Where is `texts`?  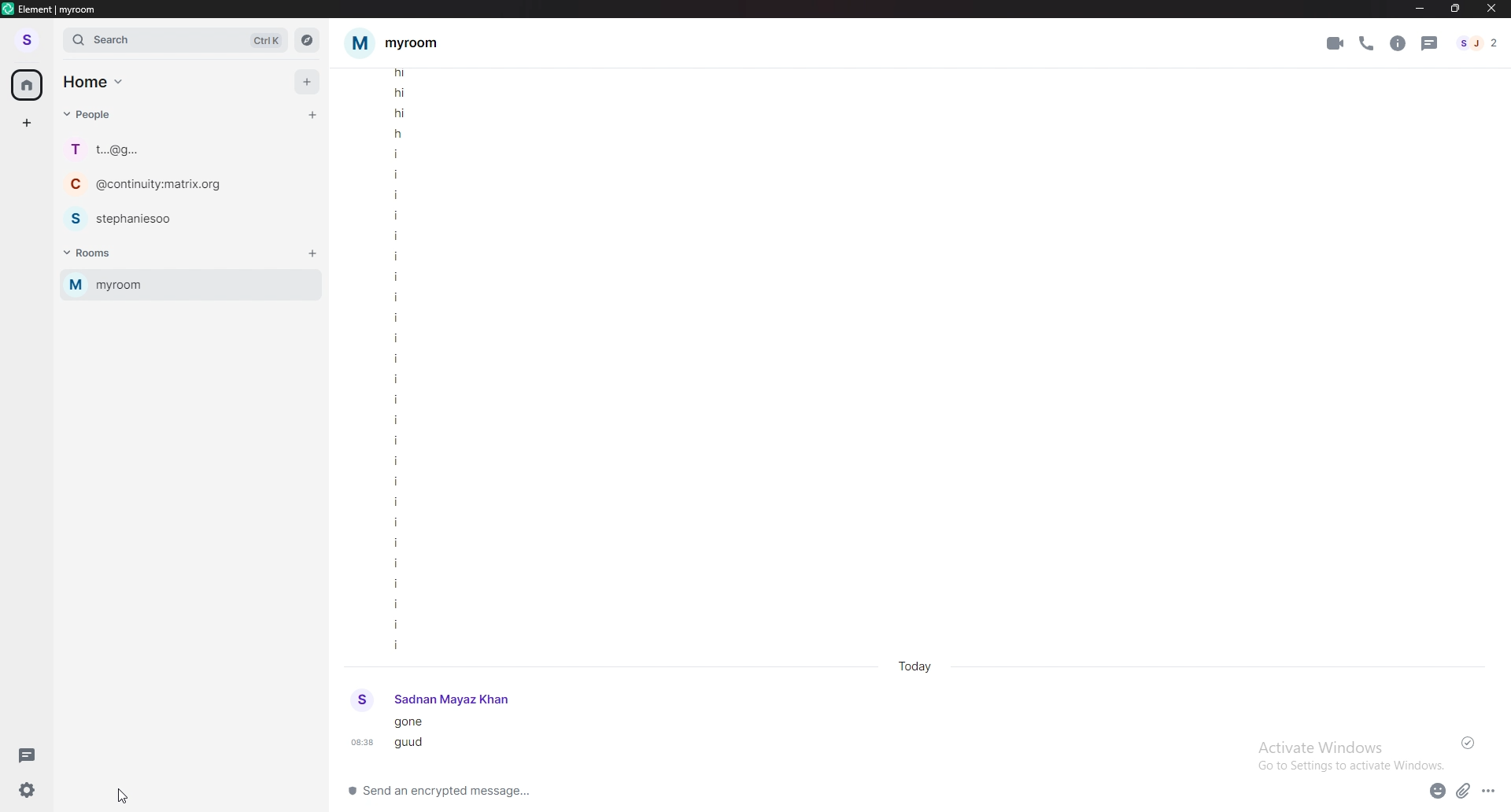 texts is located at coordinates (416, 736).